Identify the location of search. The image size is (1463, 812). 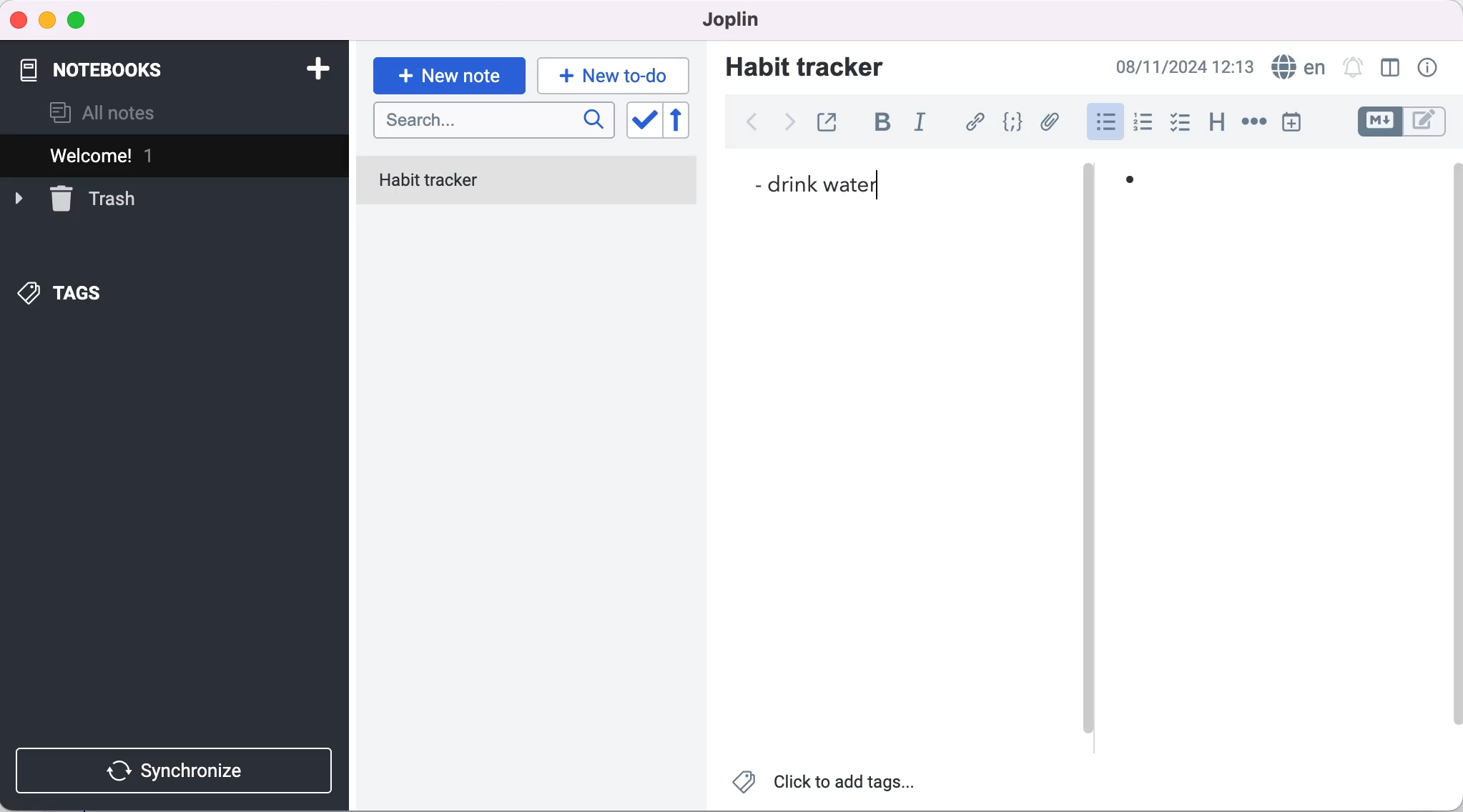
(494, 122).